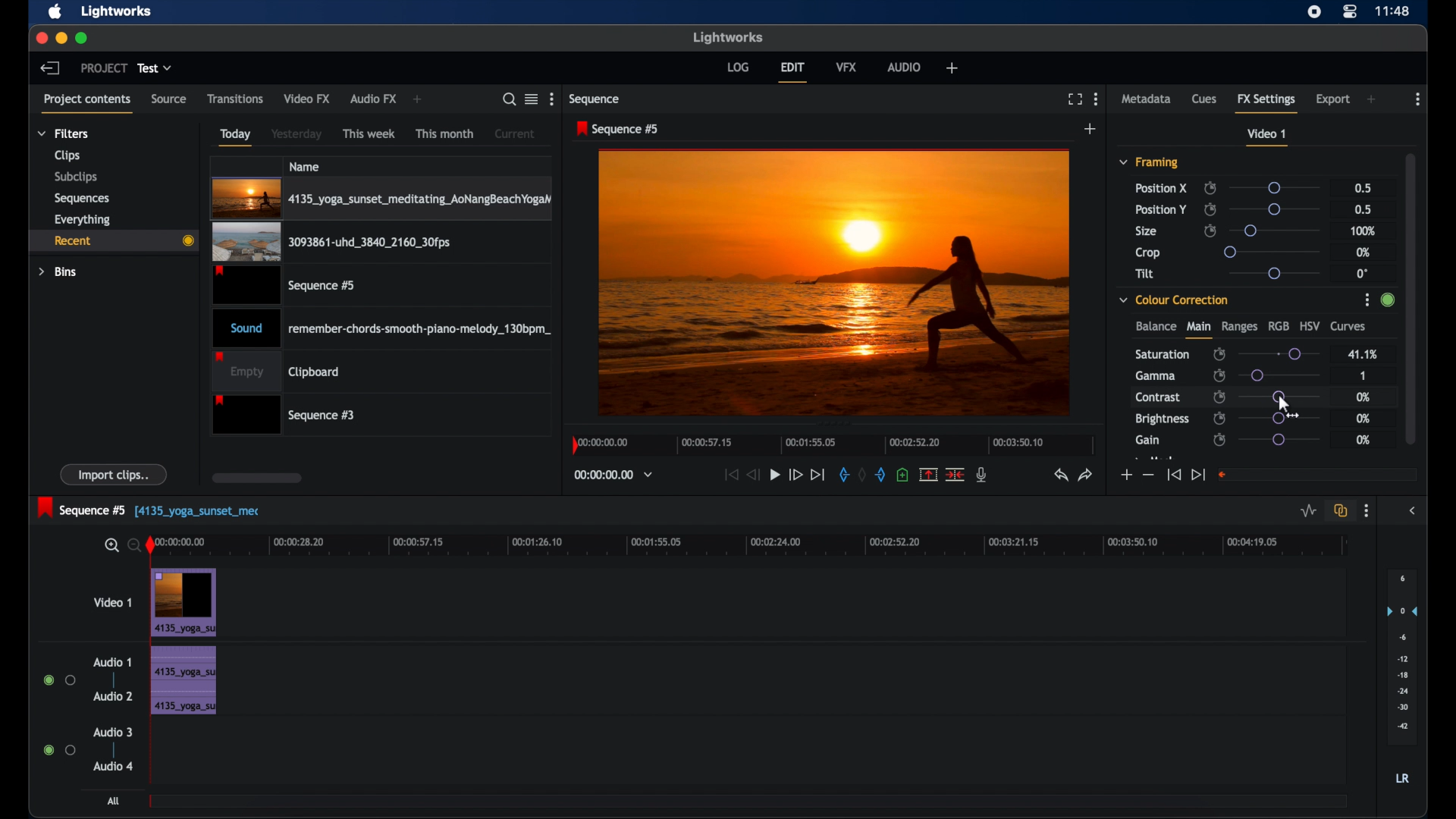 The width and height of the screenshot is (1456, 819). Describe the element at coordinates (792, 72) in the screenshot. I see `edit` at that location.